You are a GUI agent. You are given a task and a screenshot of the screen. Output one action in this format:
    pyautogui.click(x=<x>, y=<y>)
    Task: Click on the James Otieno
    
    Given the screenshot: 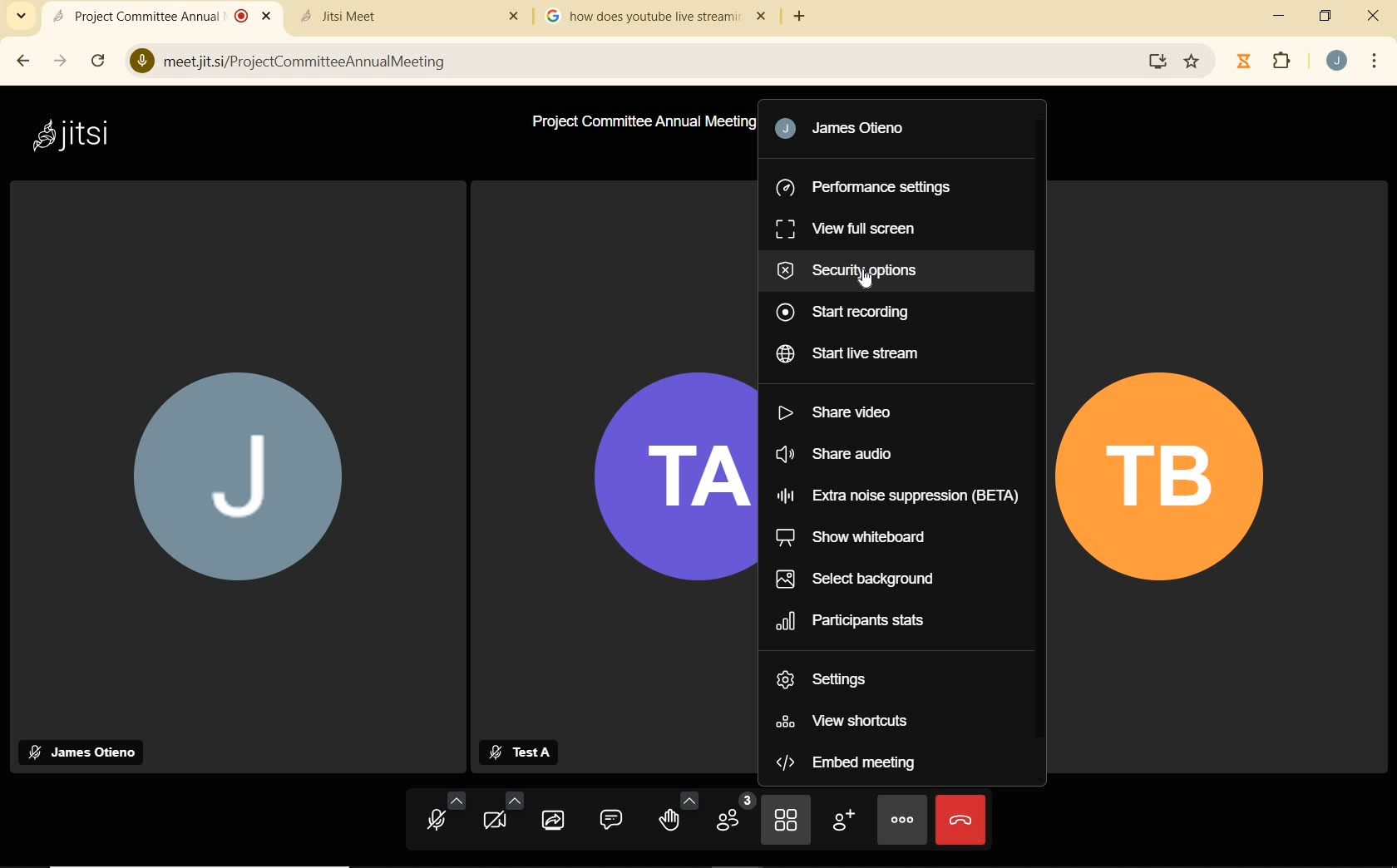 What is the action you would take?
    pyautogui.click(x=852, y=127)
    